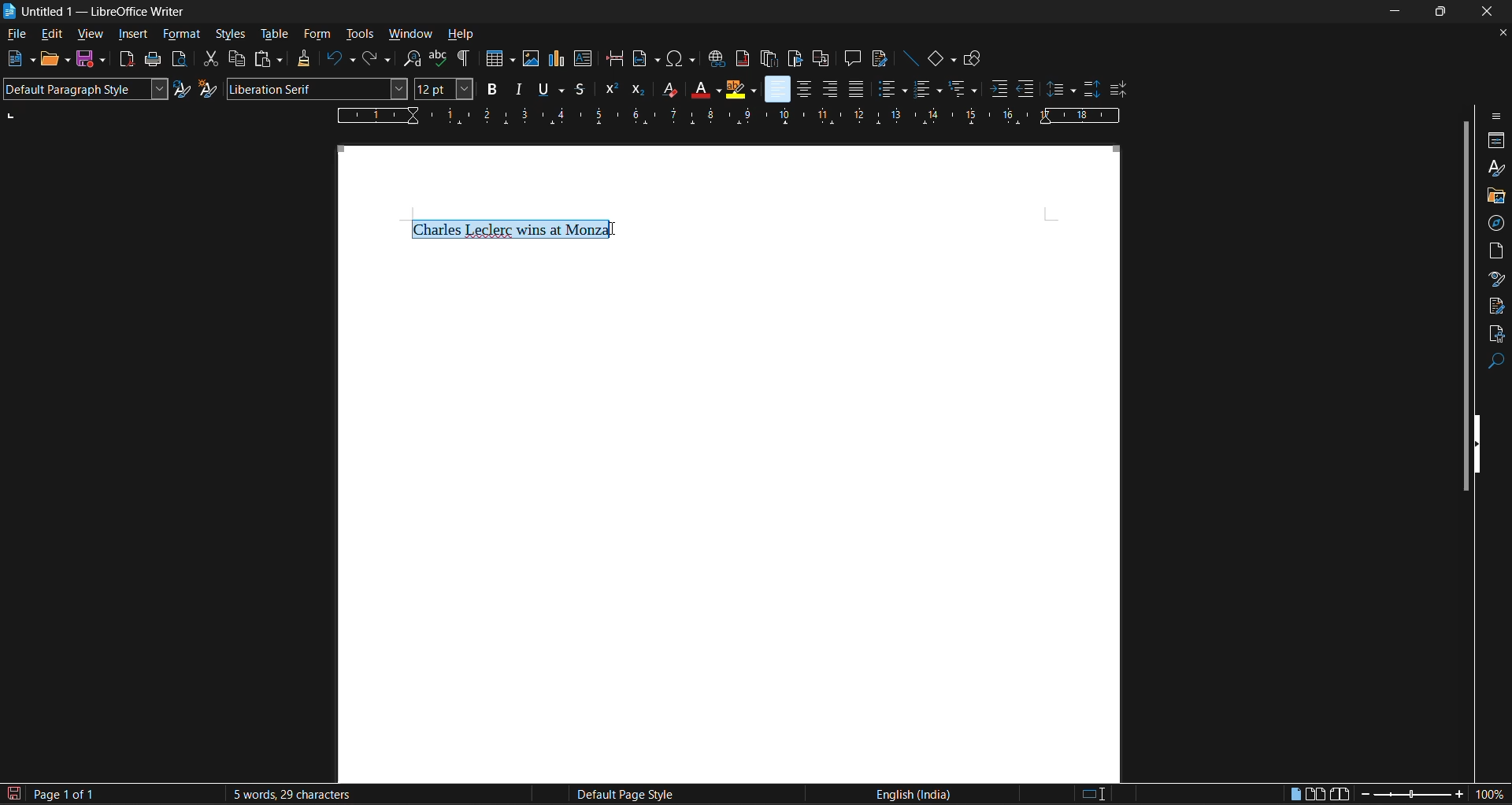 The height and width of the screenshot is (805, 1512). What do you see at coordinates (1410, 796) in the screenshot?
I see `zoom slider` at bounding box center [1410, 796].